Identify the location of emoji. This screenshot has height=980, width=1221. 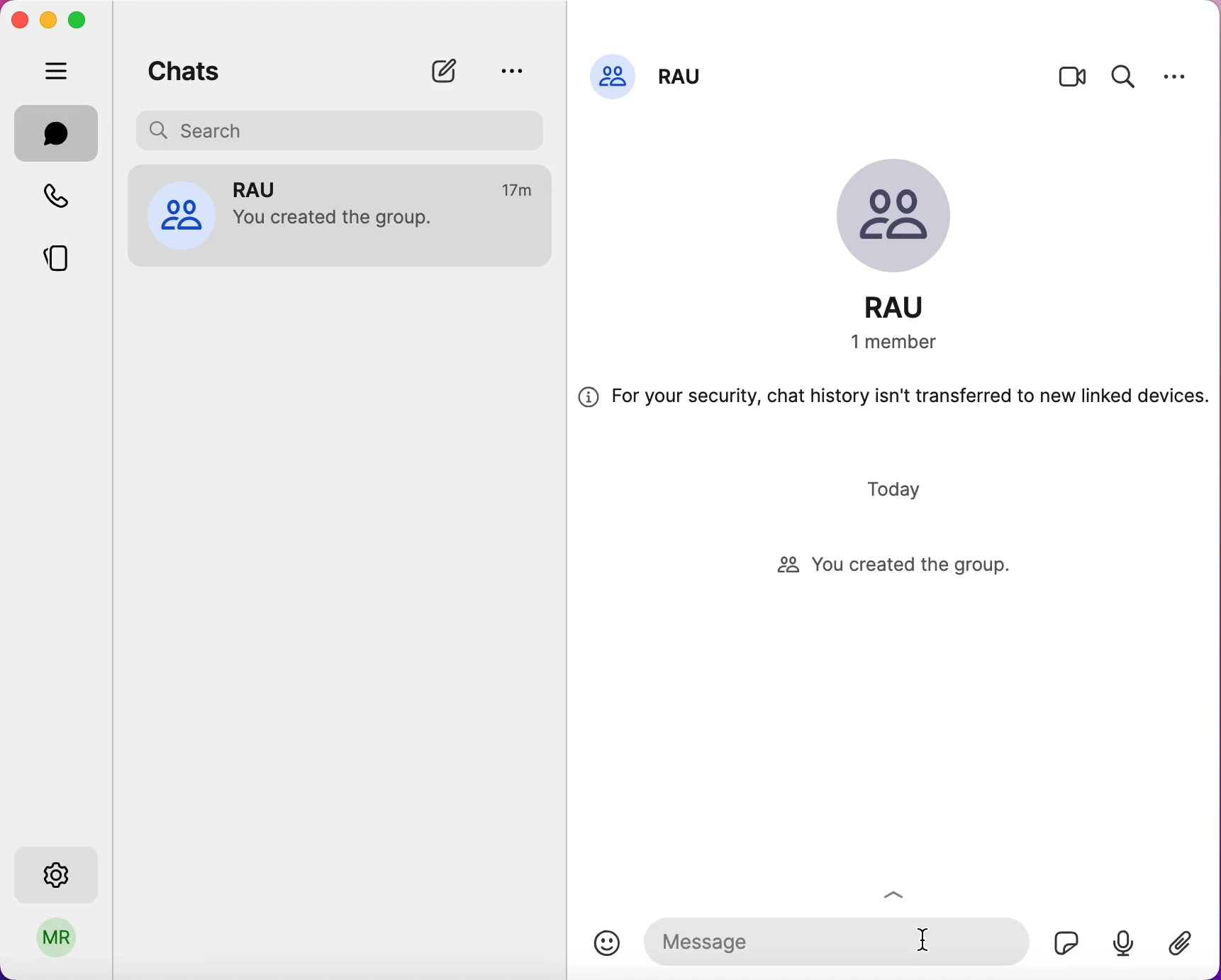
(607, 943).